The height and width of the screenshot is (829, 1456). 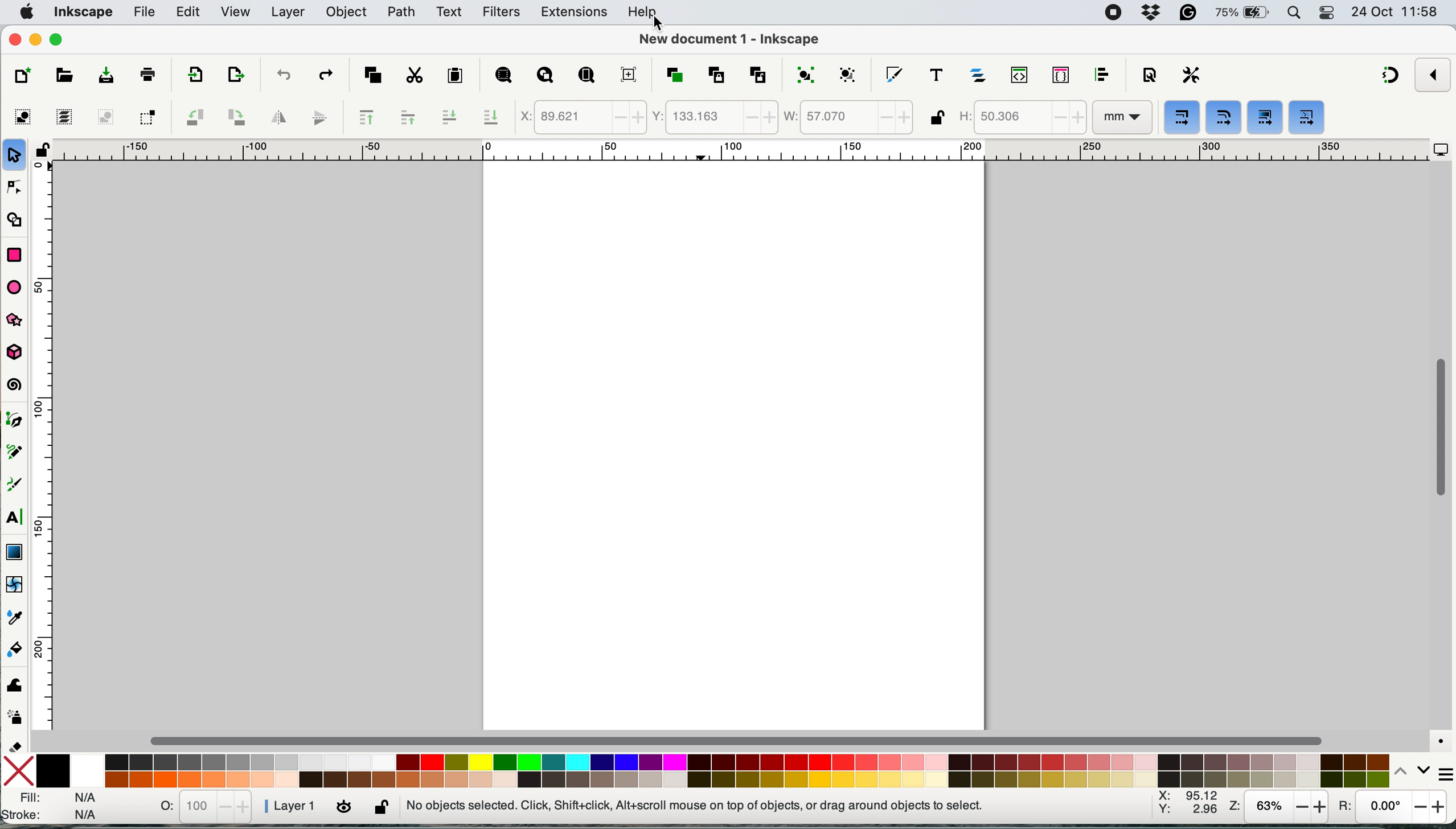 What do you see at coordinates (323, 75) in the screenshot?
I see `redo` at bounding box center [323, 75].